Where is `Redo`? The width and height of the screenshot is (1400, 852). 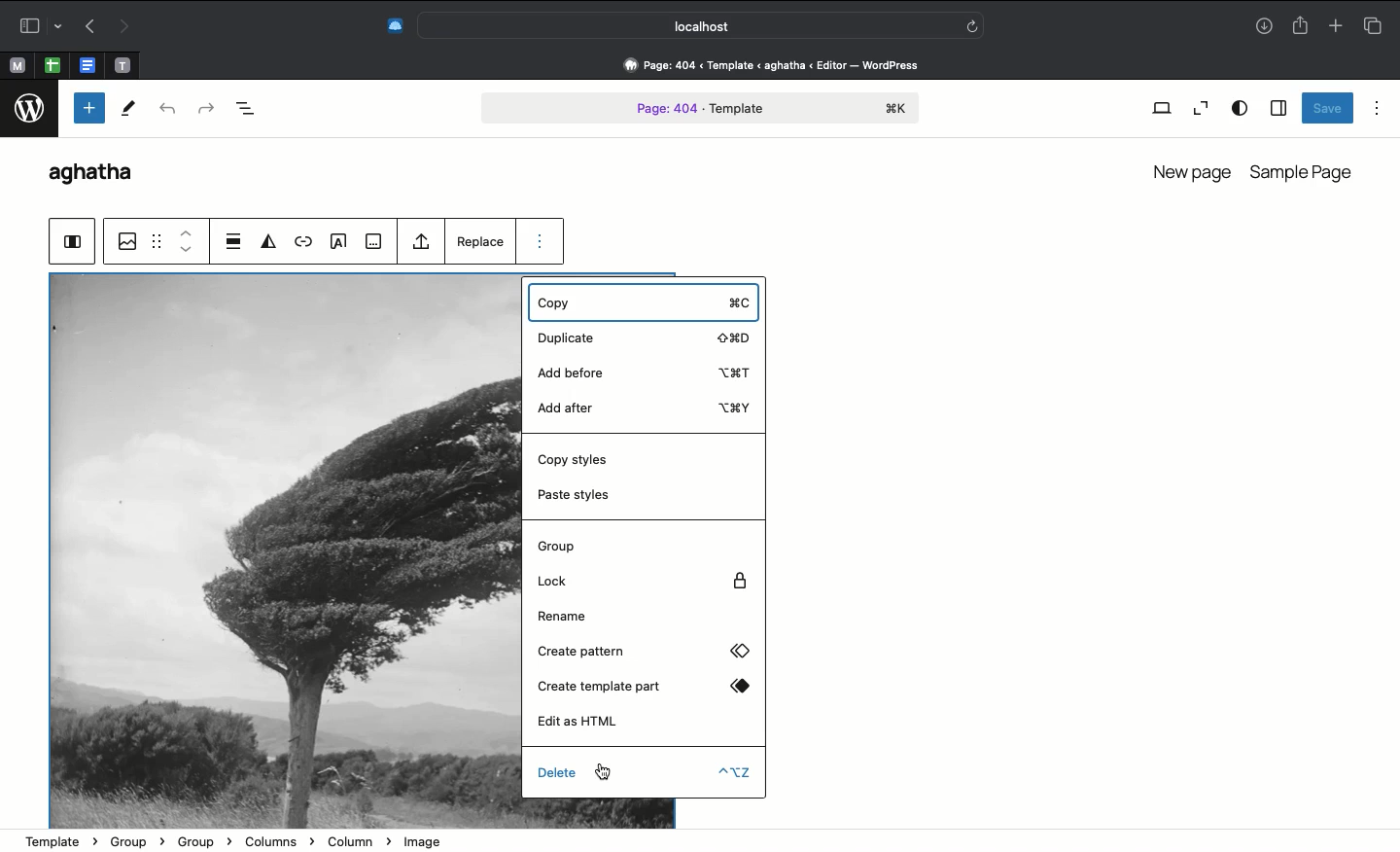 Redo is located at coordinates (122, 27).